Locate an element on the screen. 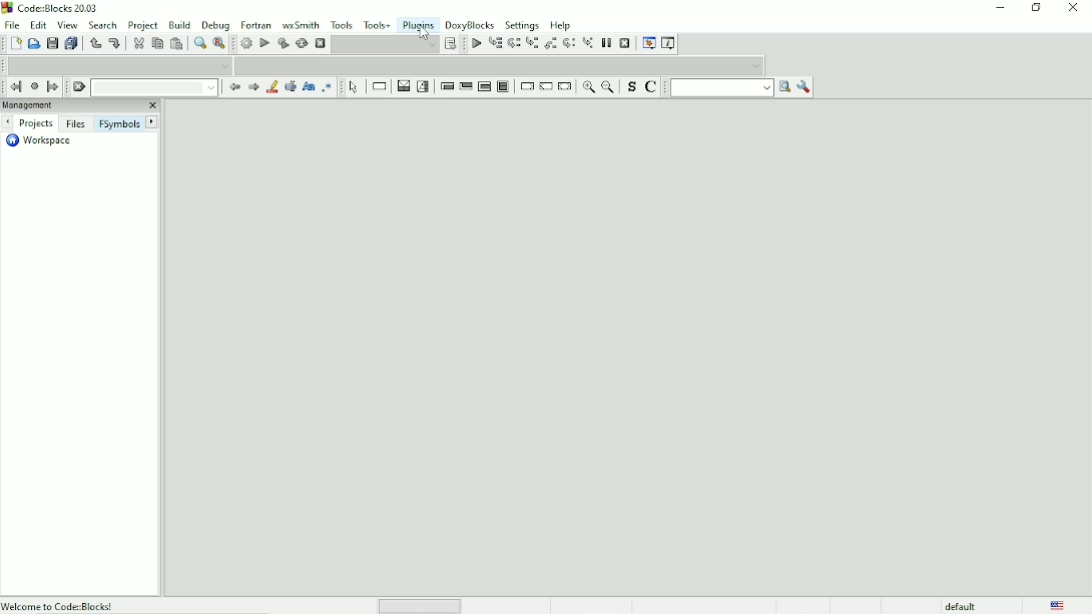 This screenshot has height=614, width=1092. wxSmith is located at coordinates (302, 24).